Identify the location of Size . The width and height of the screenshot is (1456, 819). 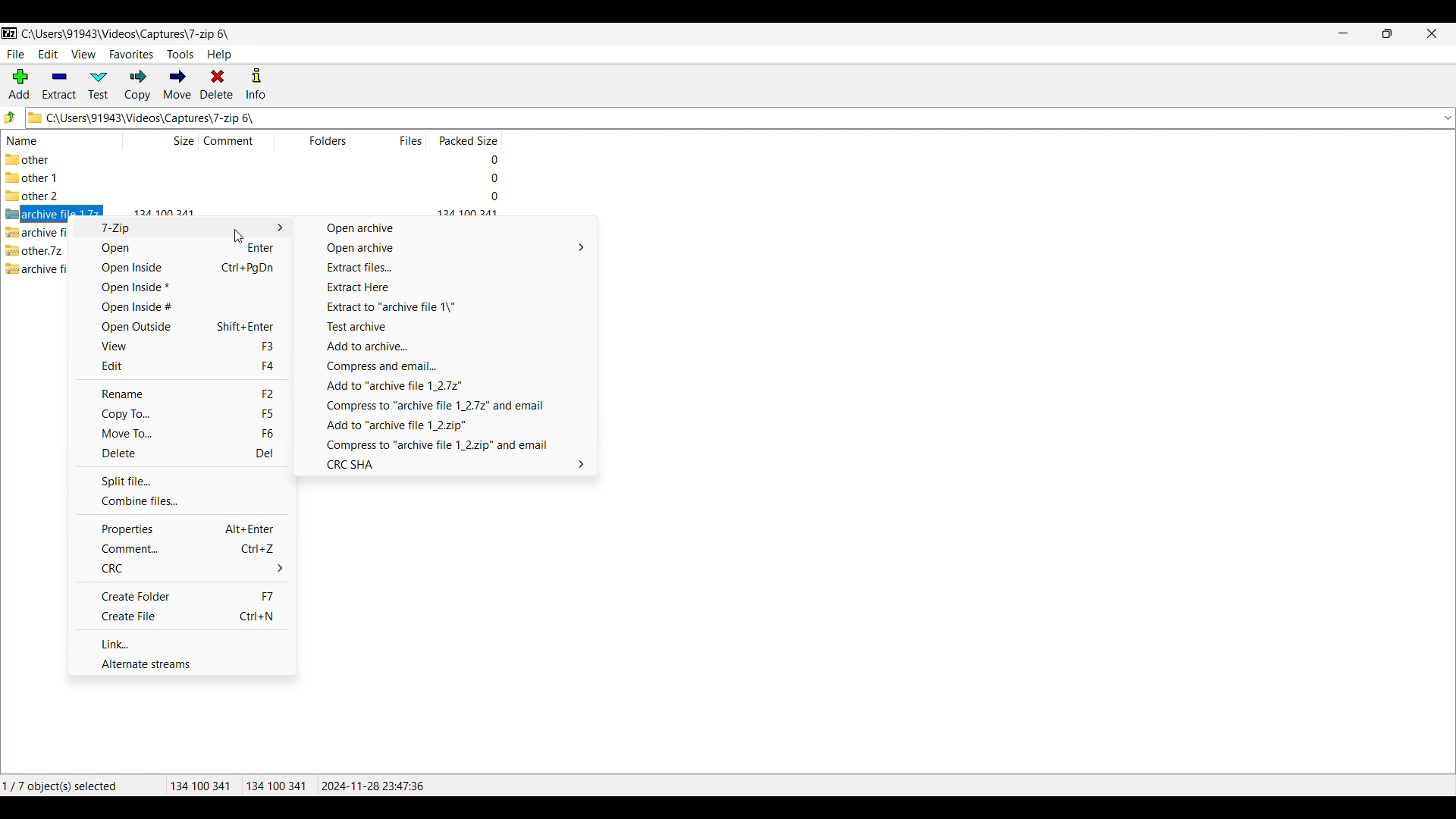
(172, 140).